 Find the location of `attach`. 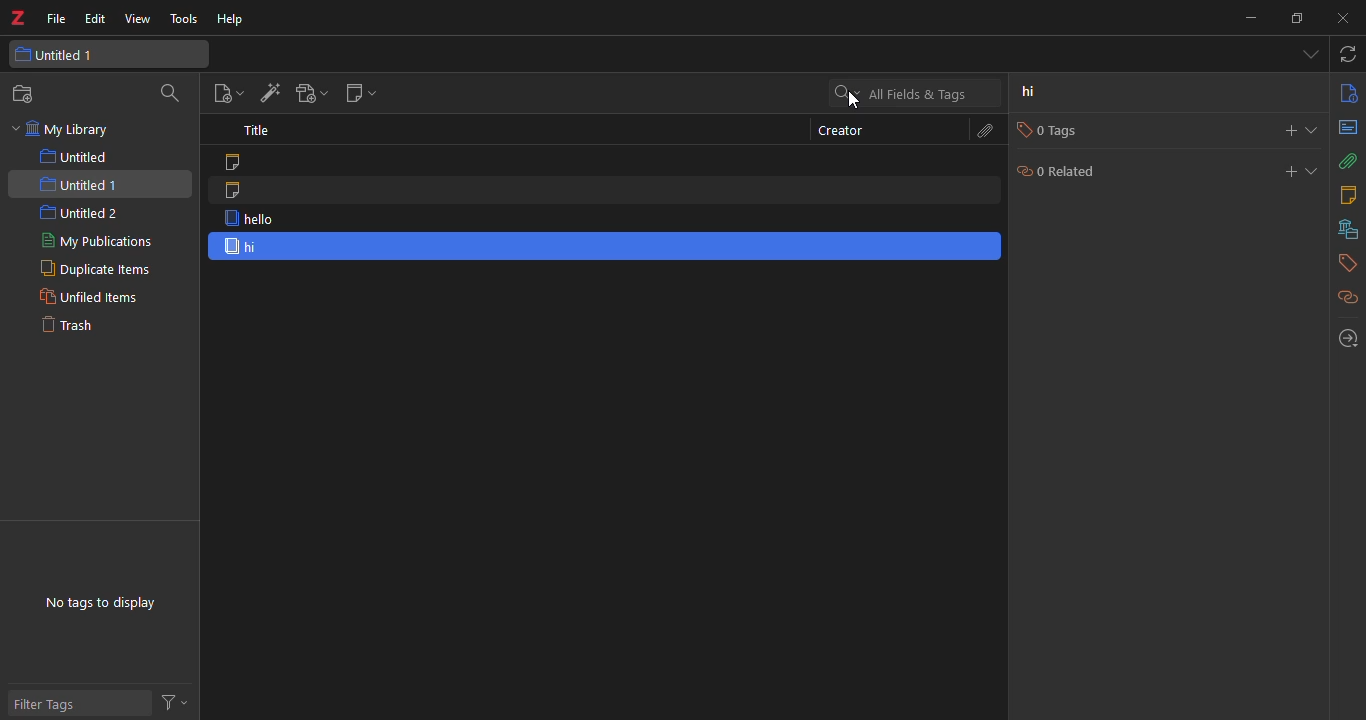

attach is located at coordinates (987, 132).